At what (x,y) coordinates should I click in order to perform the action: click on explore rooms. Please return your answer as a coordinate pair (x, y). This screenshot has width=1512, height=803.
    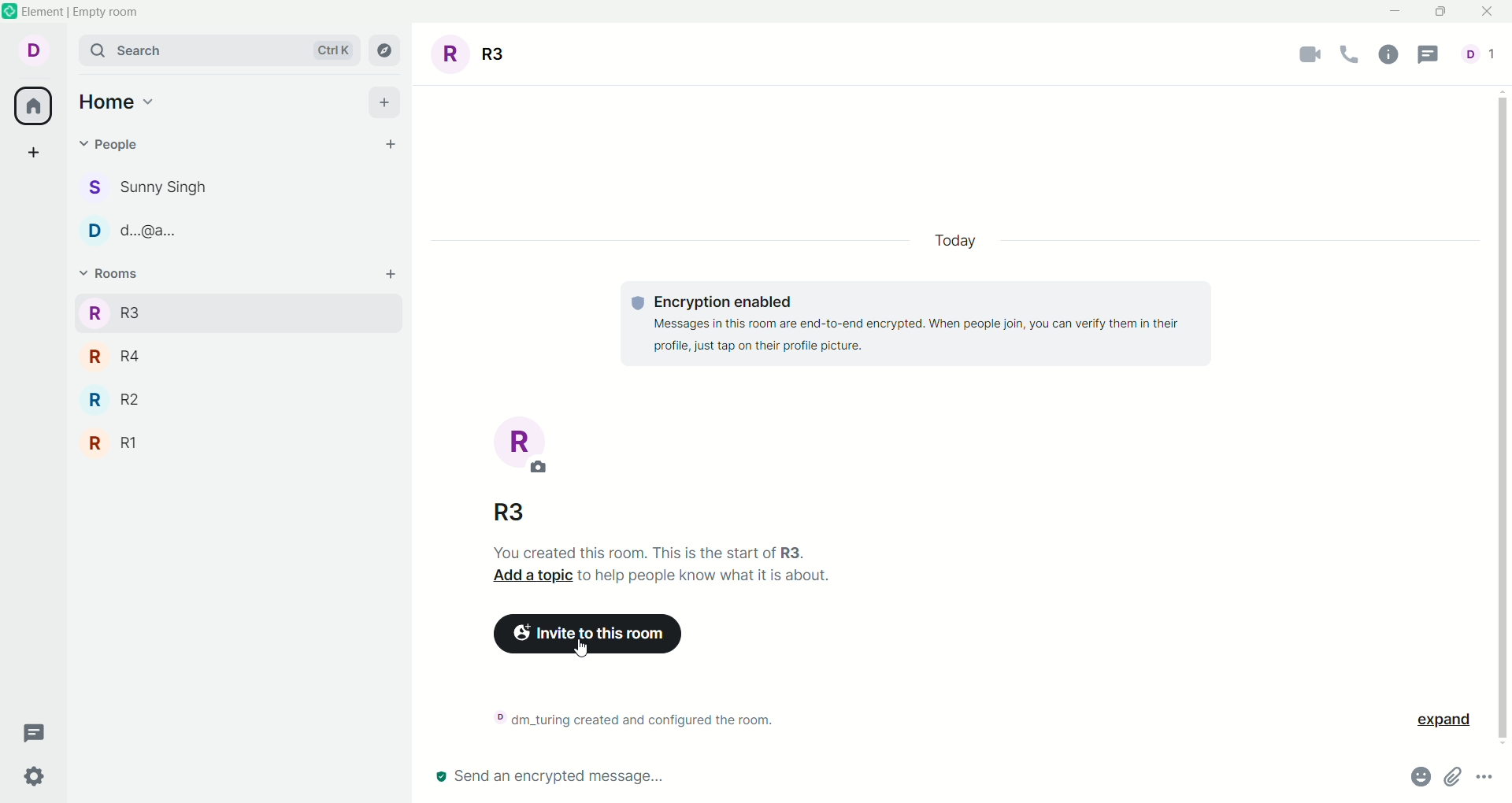
    Looking at the image, I should click on (387, 52).